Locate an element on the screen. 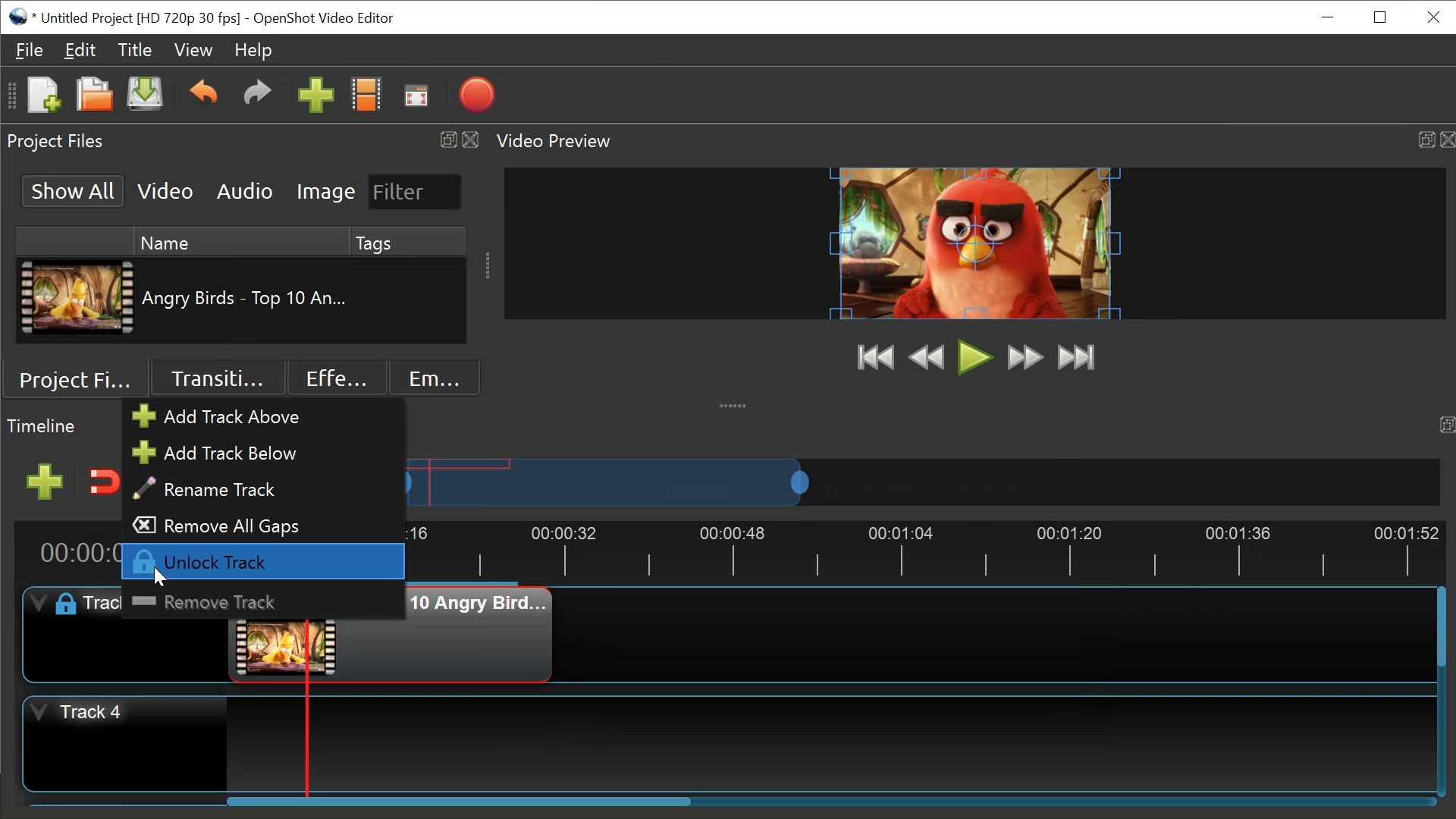 The width and height of the screenshot is (1456, 819). collapse is located at coordinates (736, 403).